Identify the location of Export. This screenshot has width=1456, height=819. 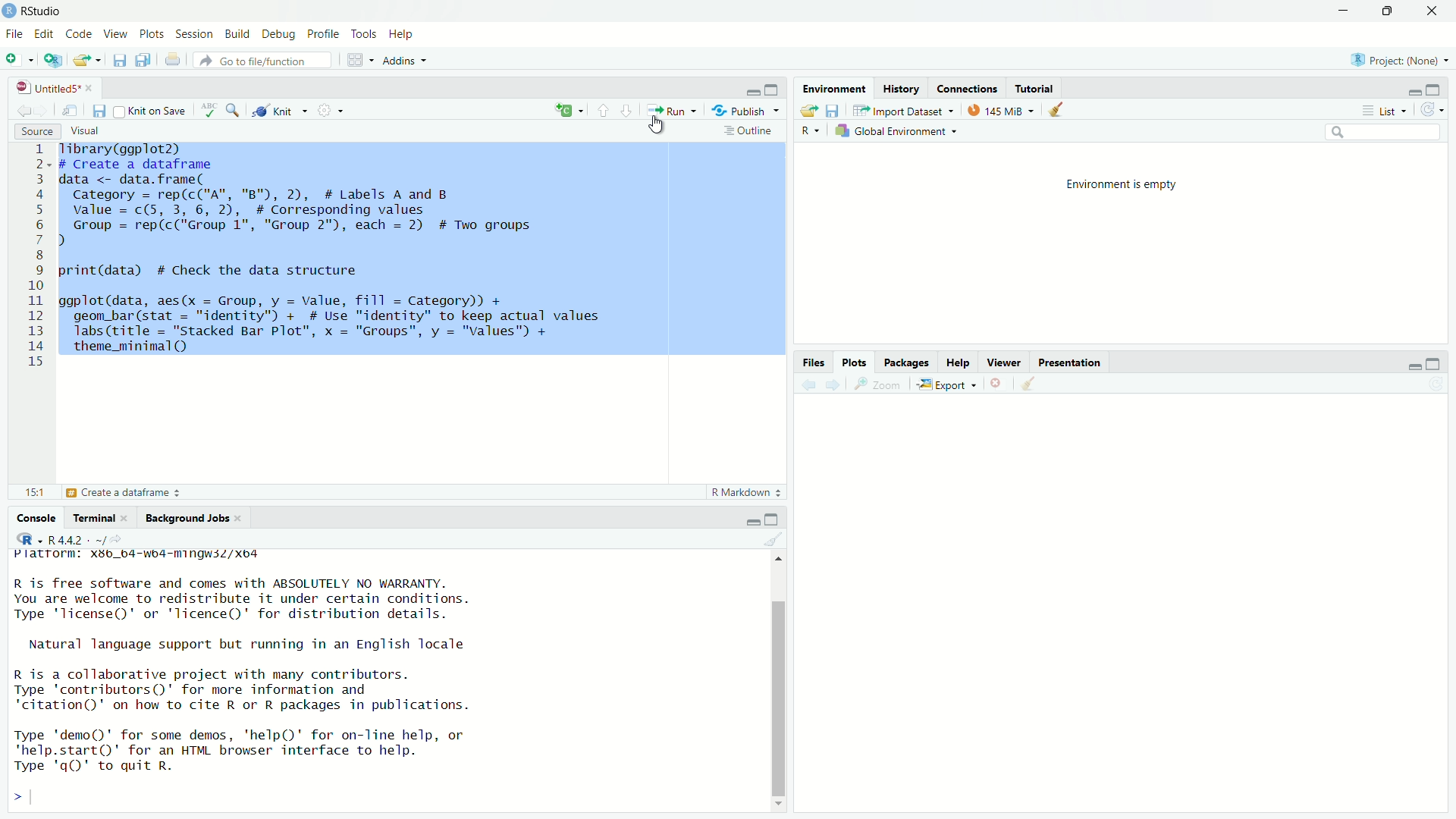
(950, 383).